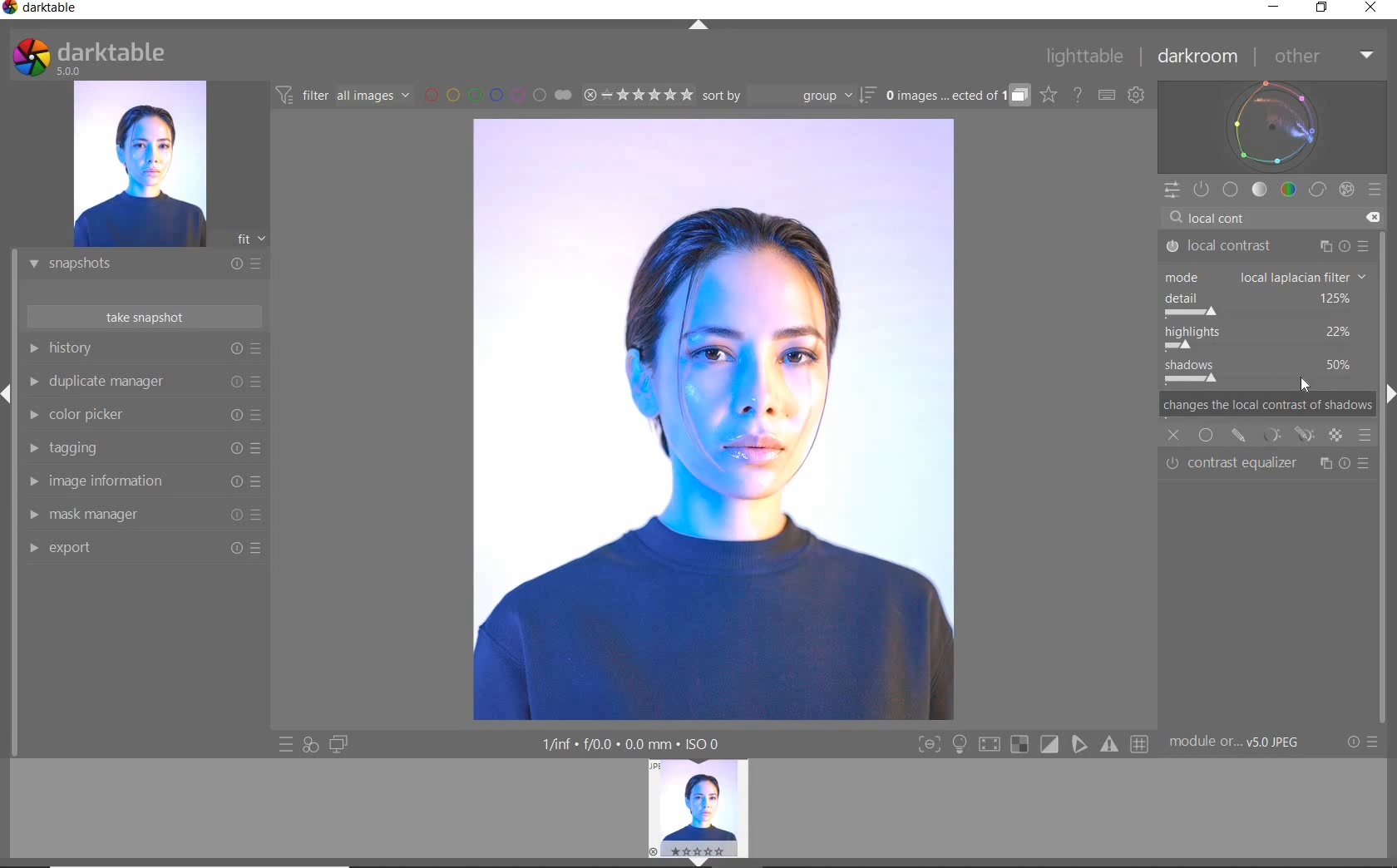  What do you see at coordinates (1375, 189) in the screenshot?
I see `PRESETS` at bounding box center [1375, 189].